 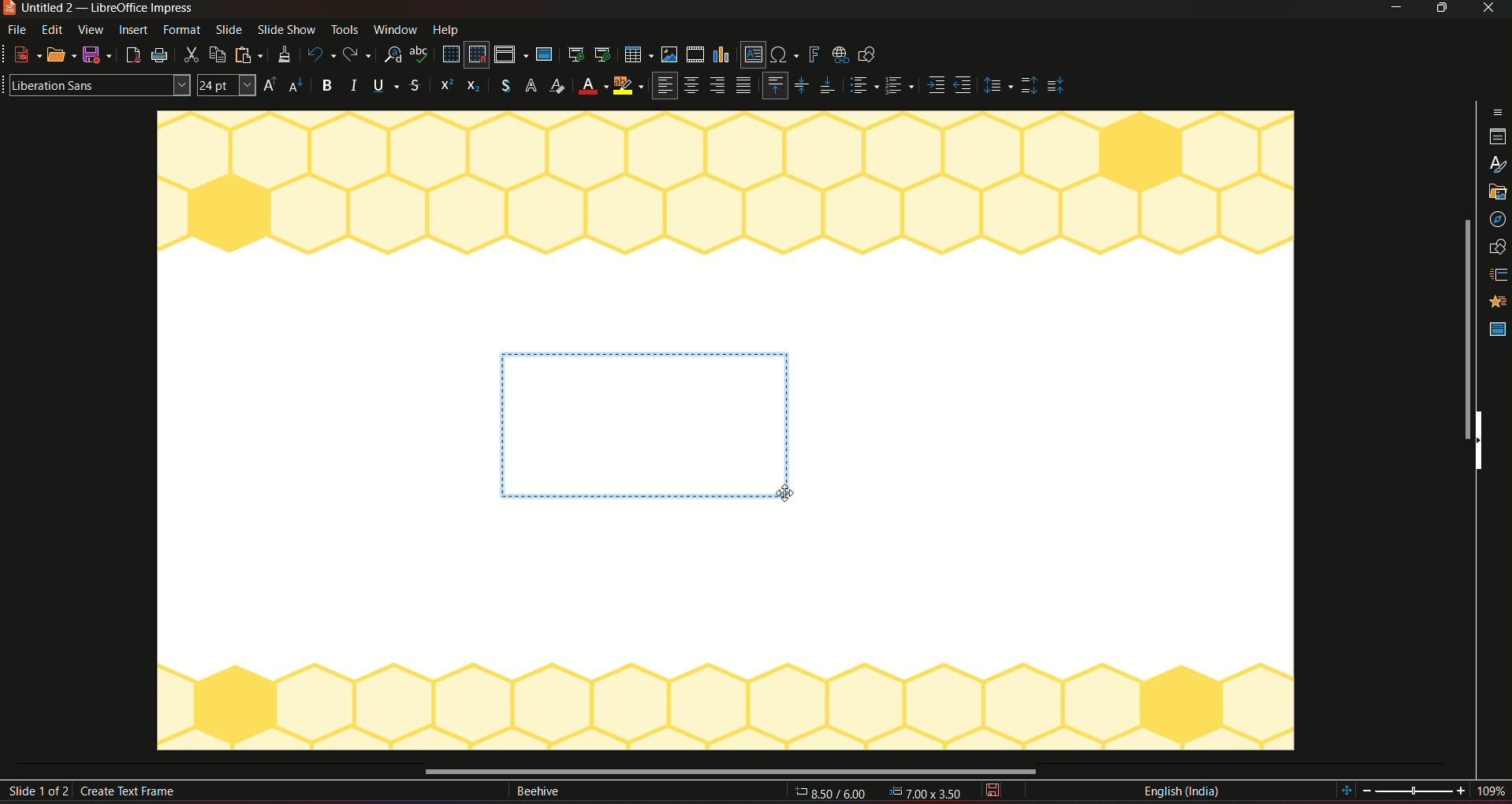 I want to click on size decrease, so click(x=300, y=86).